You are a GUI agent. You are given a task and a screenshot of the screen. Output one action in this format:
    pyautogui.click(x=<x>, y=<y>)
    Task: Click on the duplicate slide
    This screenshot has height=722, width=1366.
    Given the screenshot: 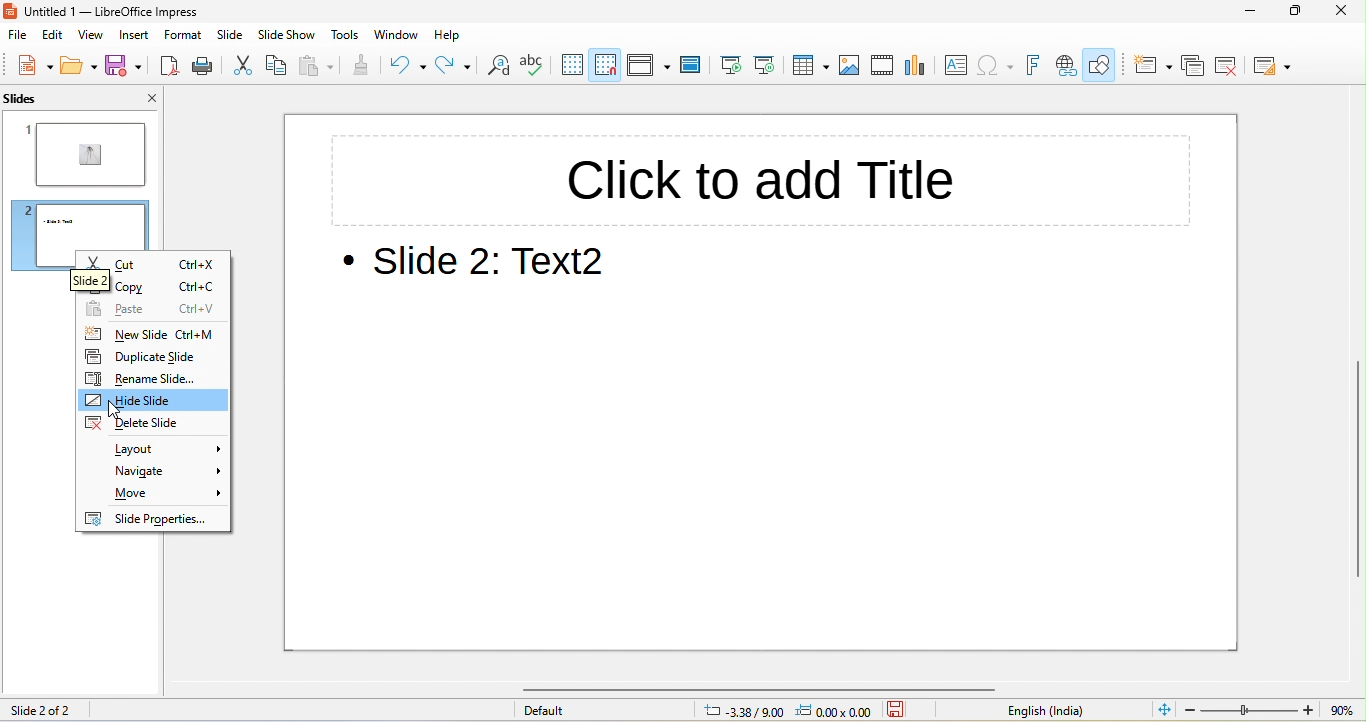 What is the action you would take?
    pyautogui.click(x=1193, y=65)
    